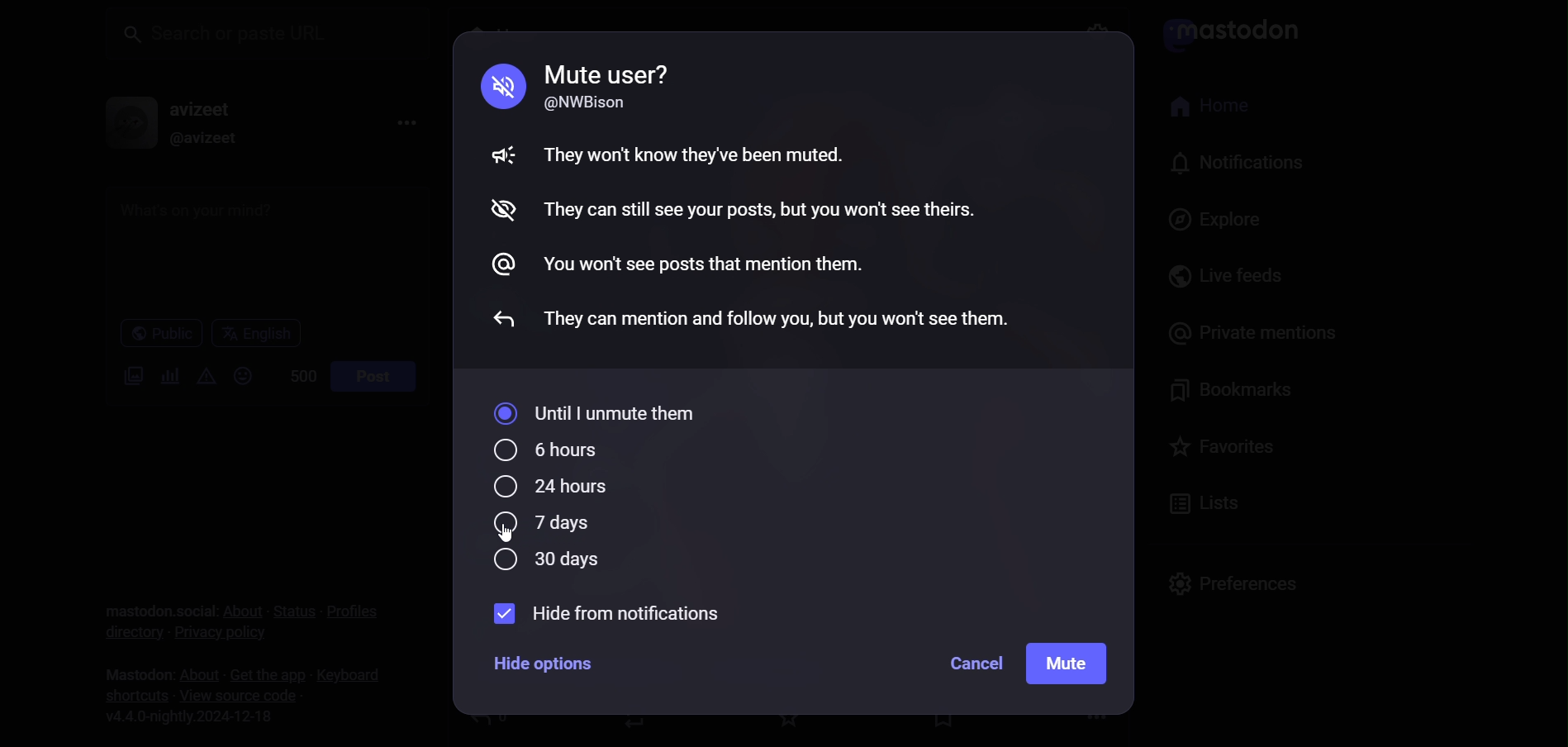 The width and height of the screenshot is (1568, 747). What do you see at coordinates (549, 664) in the screenshot?
I see `Hide options` at bounding box center [549, 664].